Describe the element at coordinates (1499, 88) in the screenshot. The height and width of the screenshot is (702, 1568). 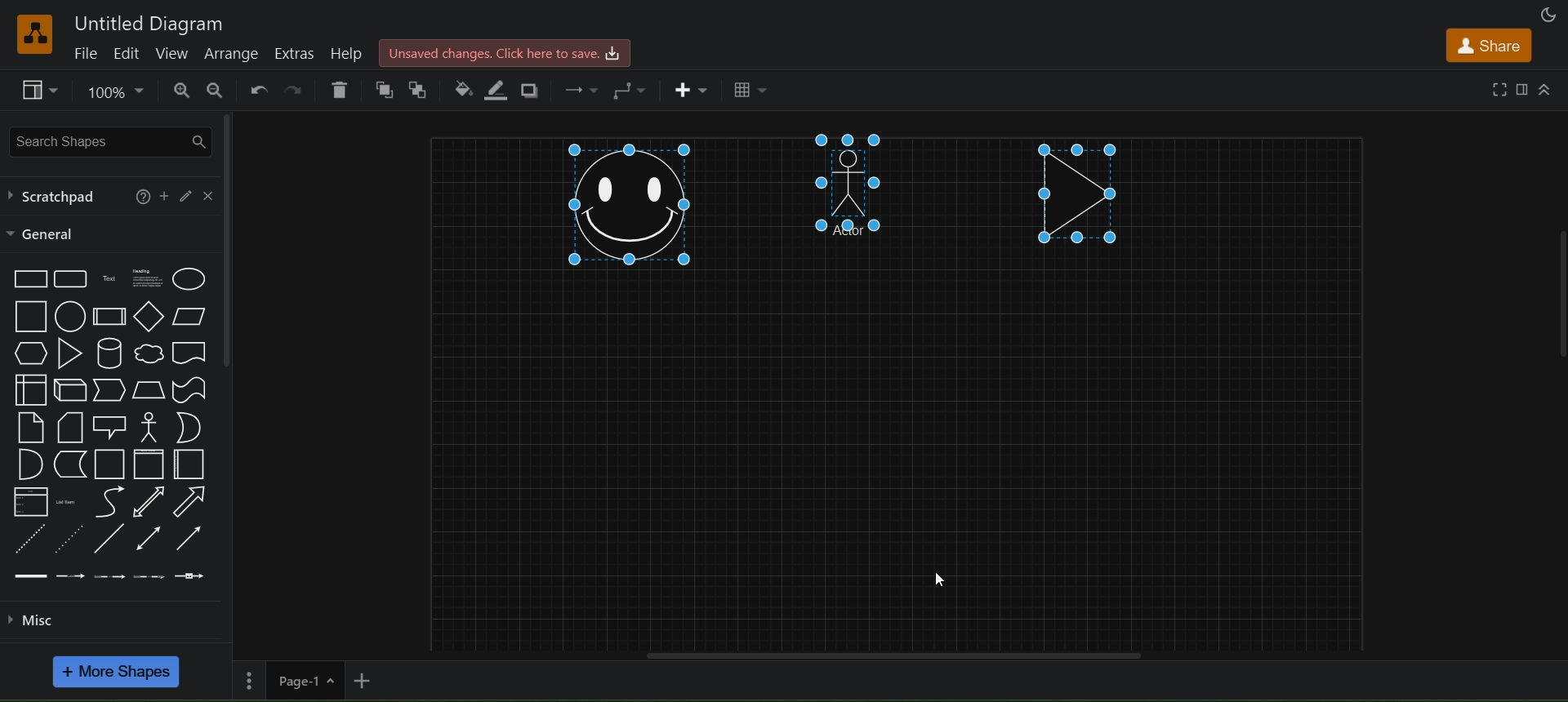
I see `fullscreen` at that location.